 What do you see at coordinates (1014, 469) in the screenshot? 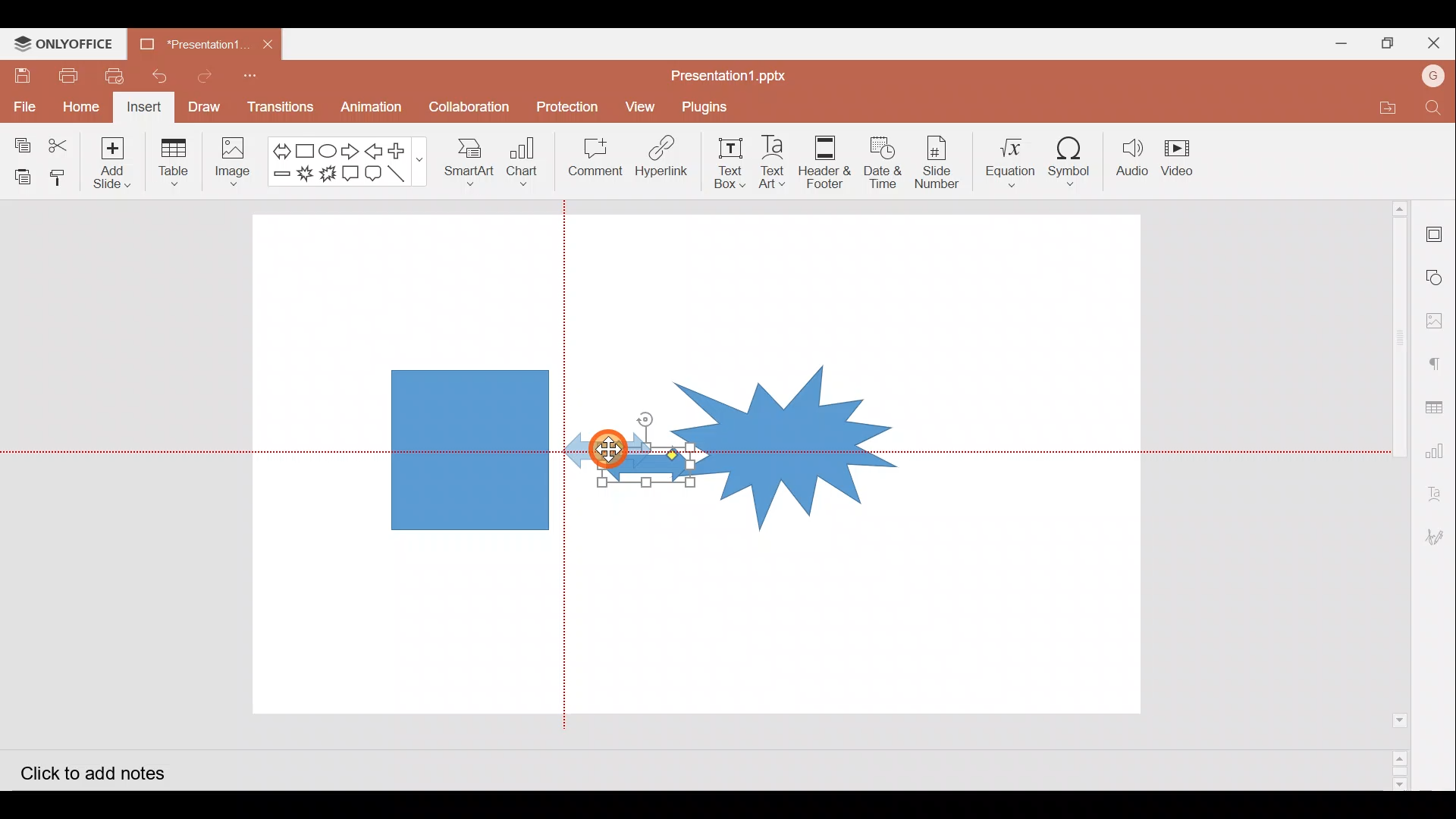
I see `Presentation slide` at bounding box center [1014, 469].